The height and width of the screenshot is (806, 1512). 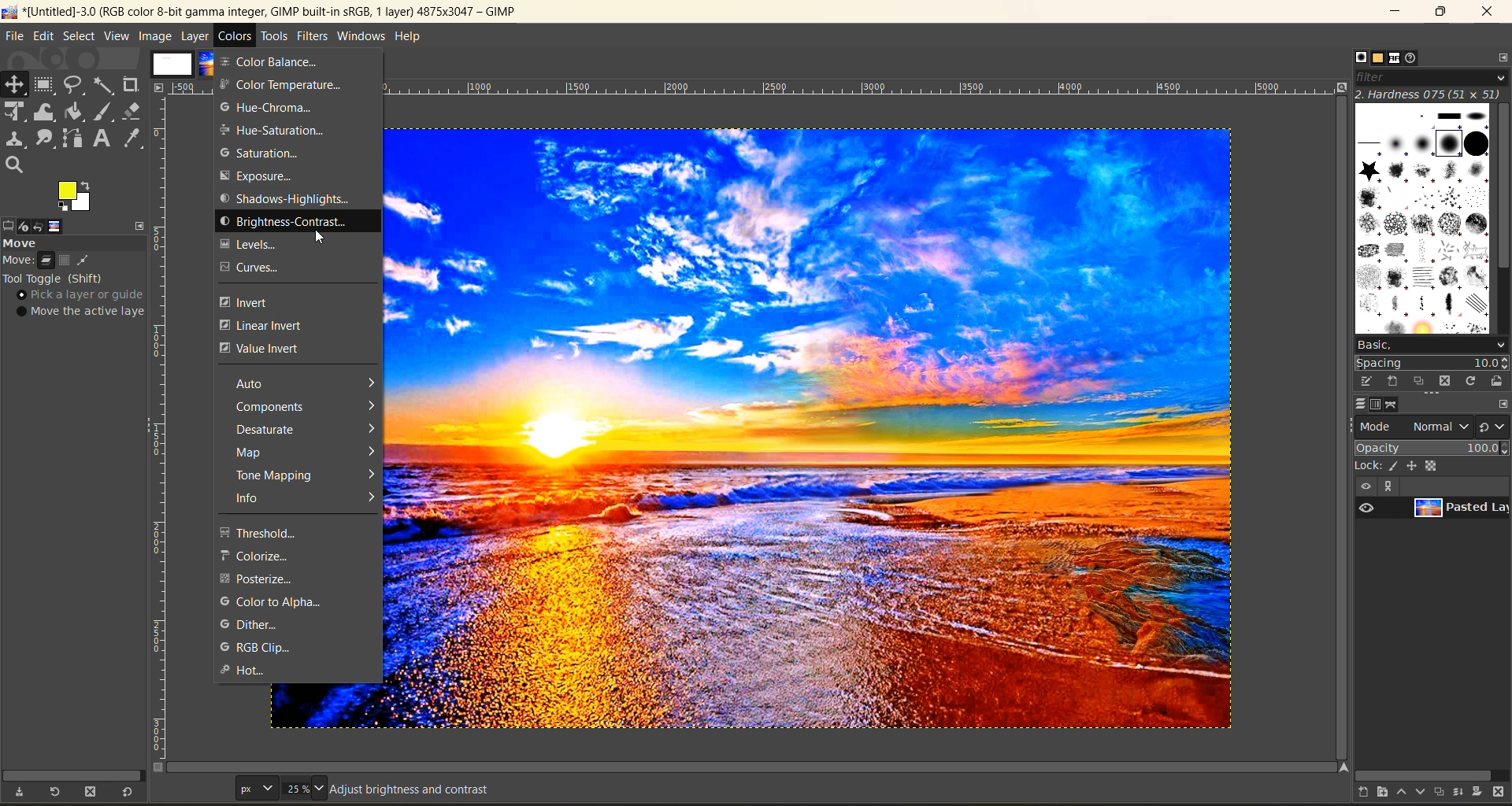 What do you see at coordinates (118, 37) in the screenshot?
I see `view` at bounding box center [118, 37].